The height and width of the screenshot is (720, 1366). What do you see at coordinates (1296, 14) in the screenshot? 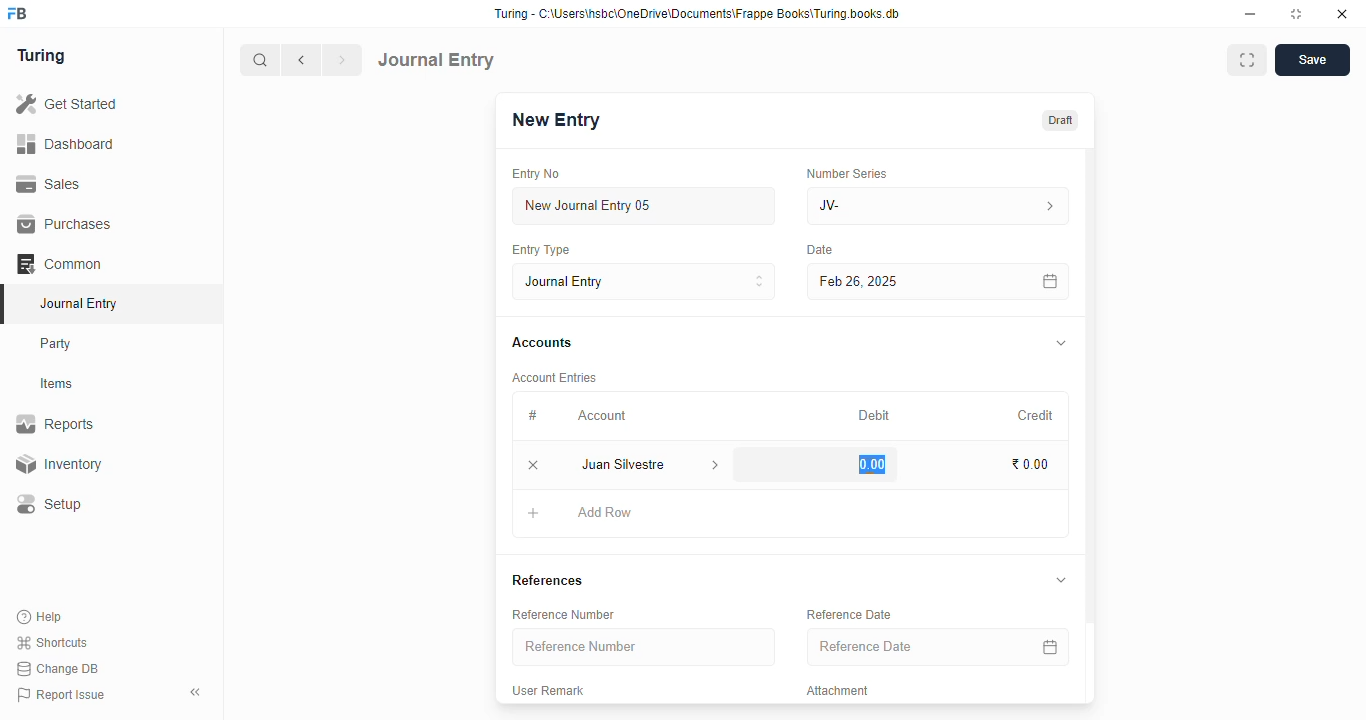
I see `toggle maximize` at bounding box center [1296, 14].